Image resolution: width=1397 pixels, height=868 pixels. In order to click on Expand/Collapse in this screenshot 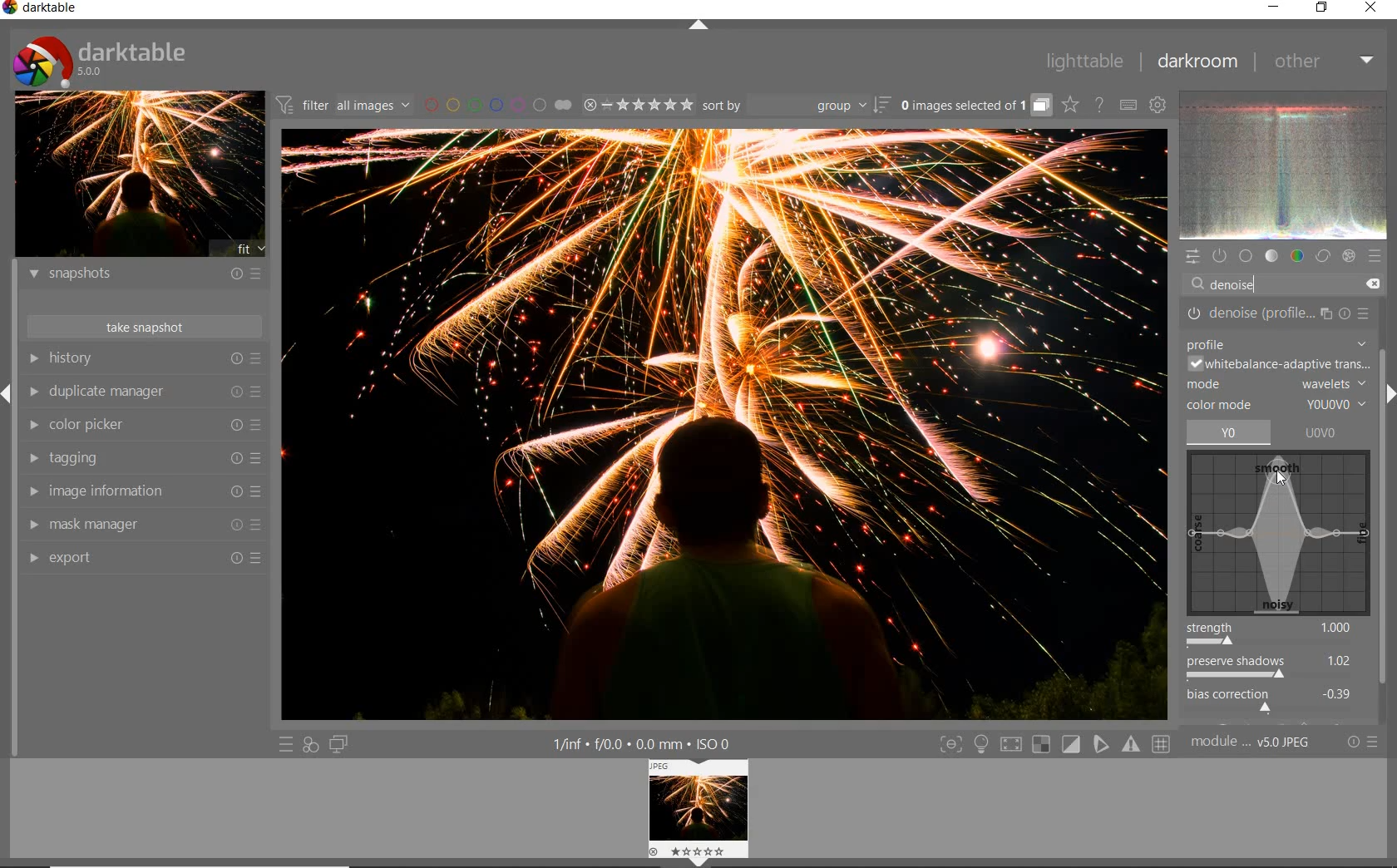, I will do `click(8, 394)`.